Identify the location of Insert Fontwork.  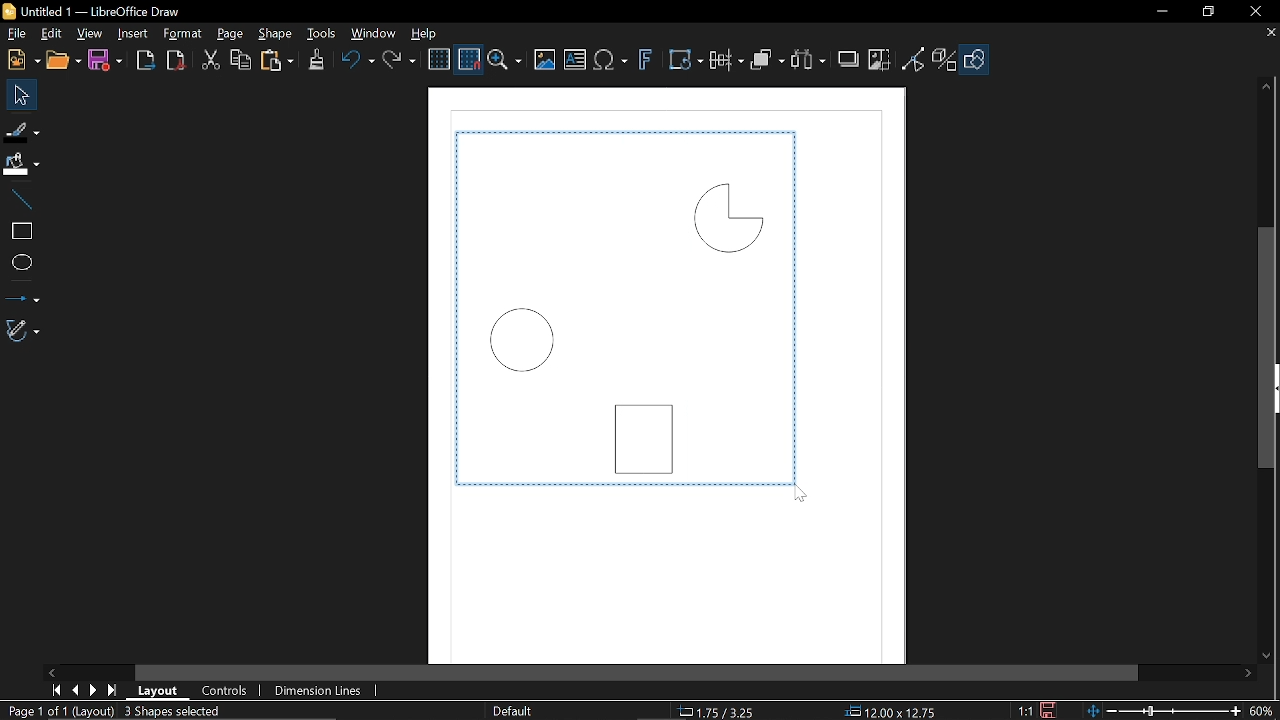
(646, 62).